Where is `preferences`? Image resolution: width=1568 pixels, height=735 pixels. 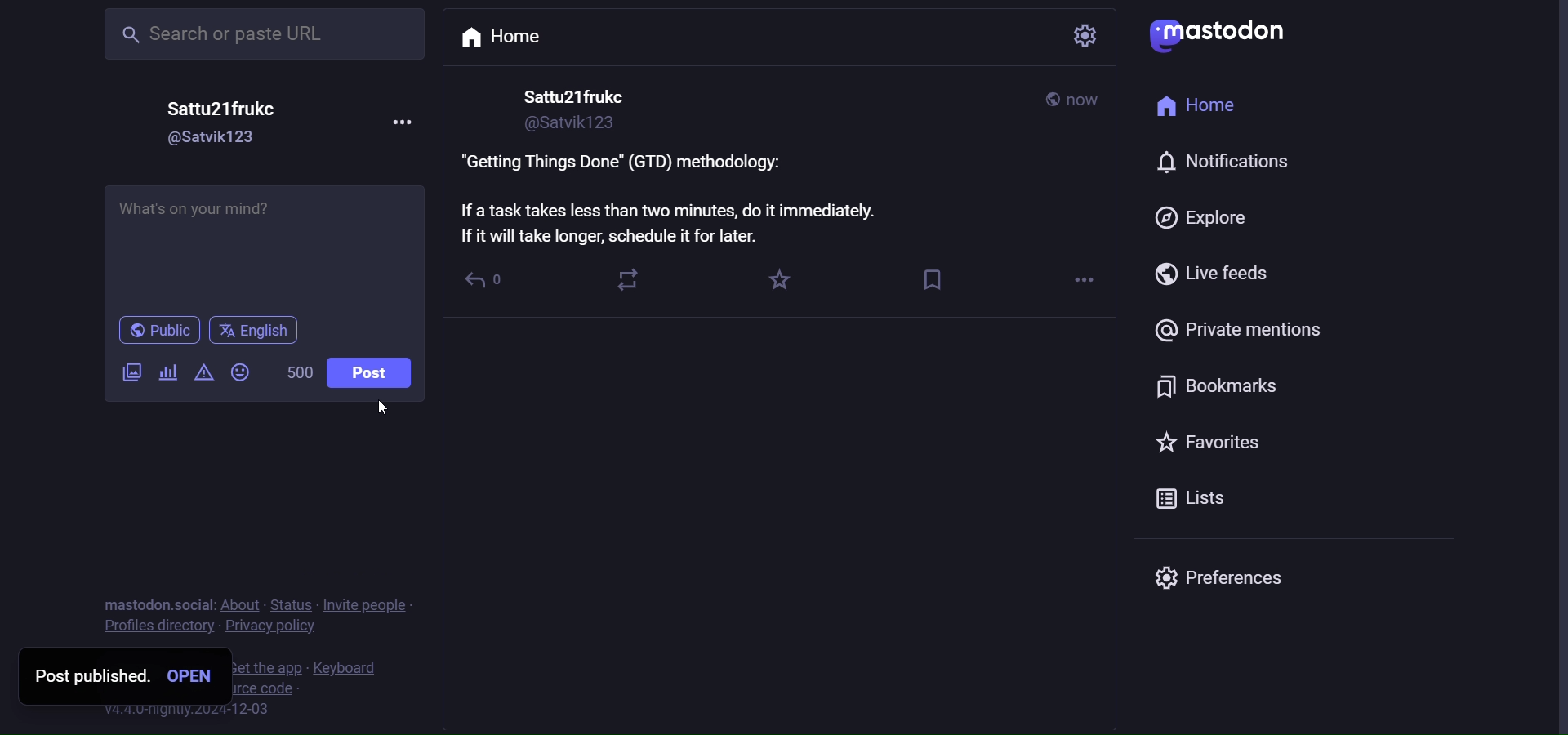 preferences is located at coordinates (1223, 575).